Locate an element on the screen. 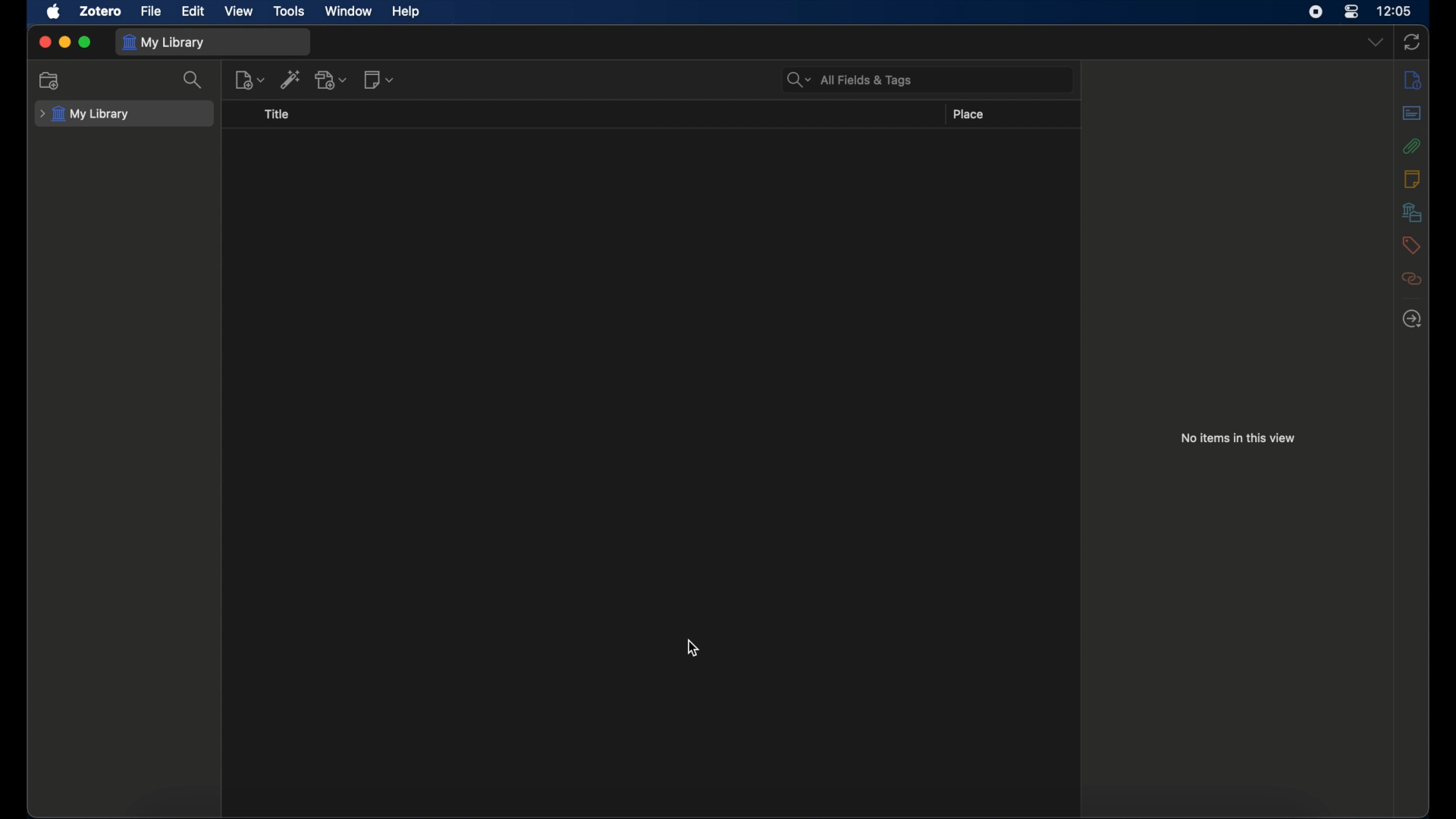  title is located at coordinates (276, 114).